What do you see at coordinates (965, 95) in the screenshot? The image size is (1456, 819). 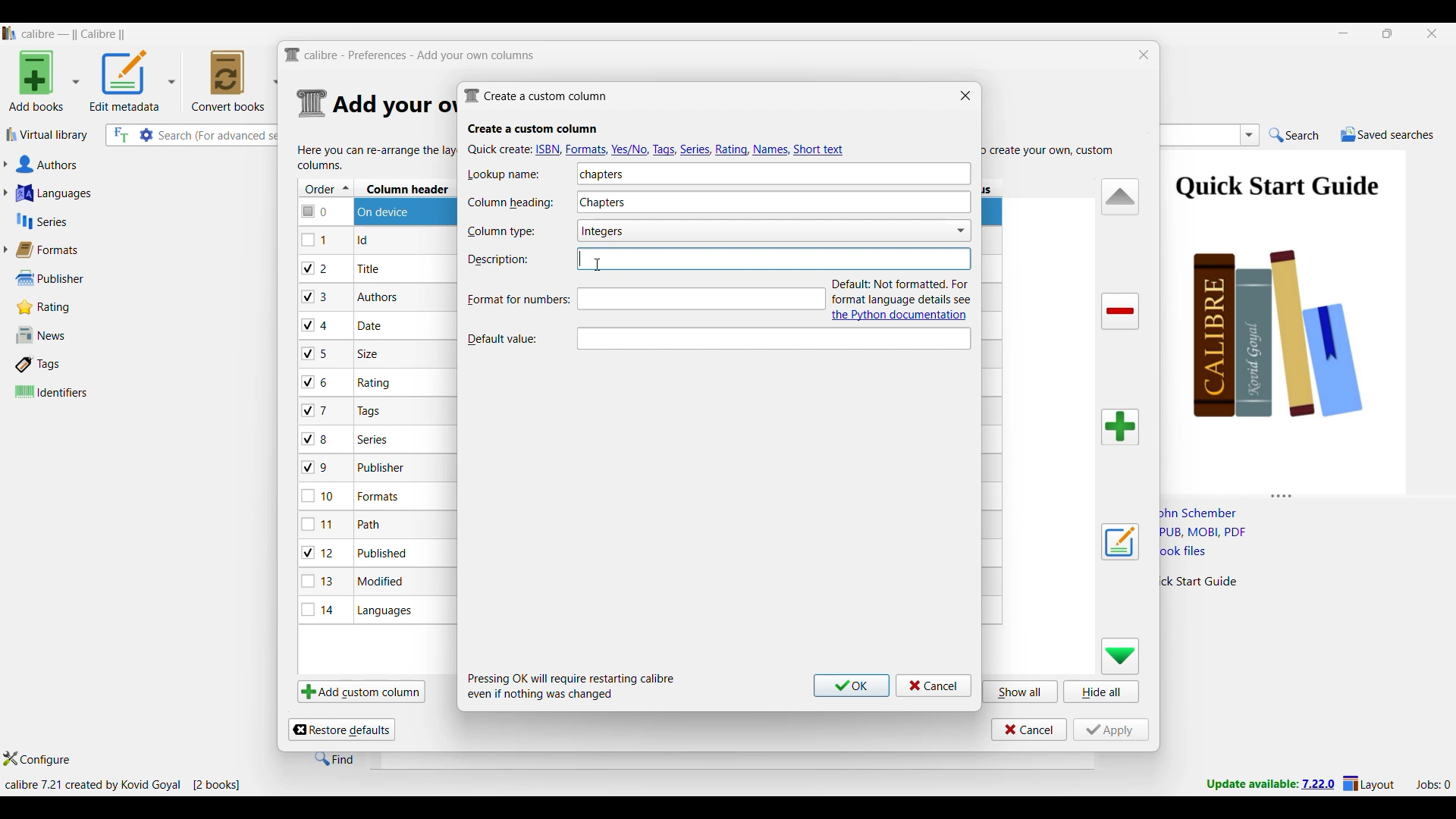 I see `Close window` at bounding box center [965, 95].